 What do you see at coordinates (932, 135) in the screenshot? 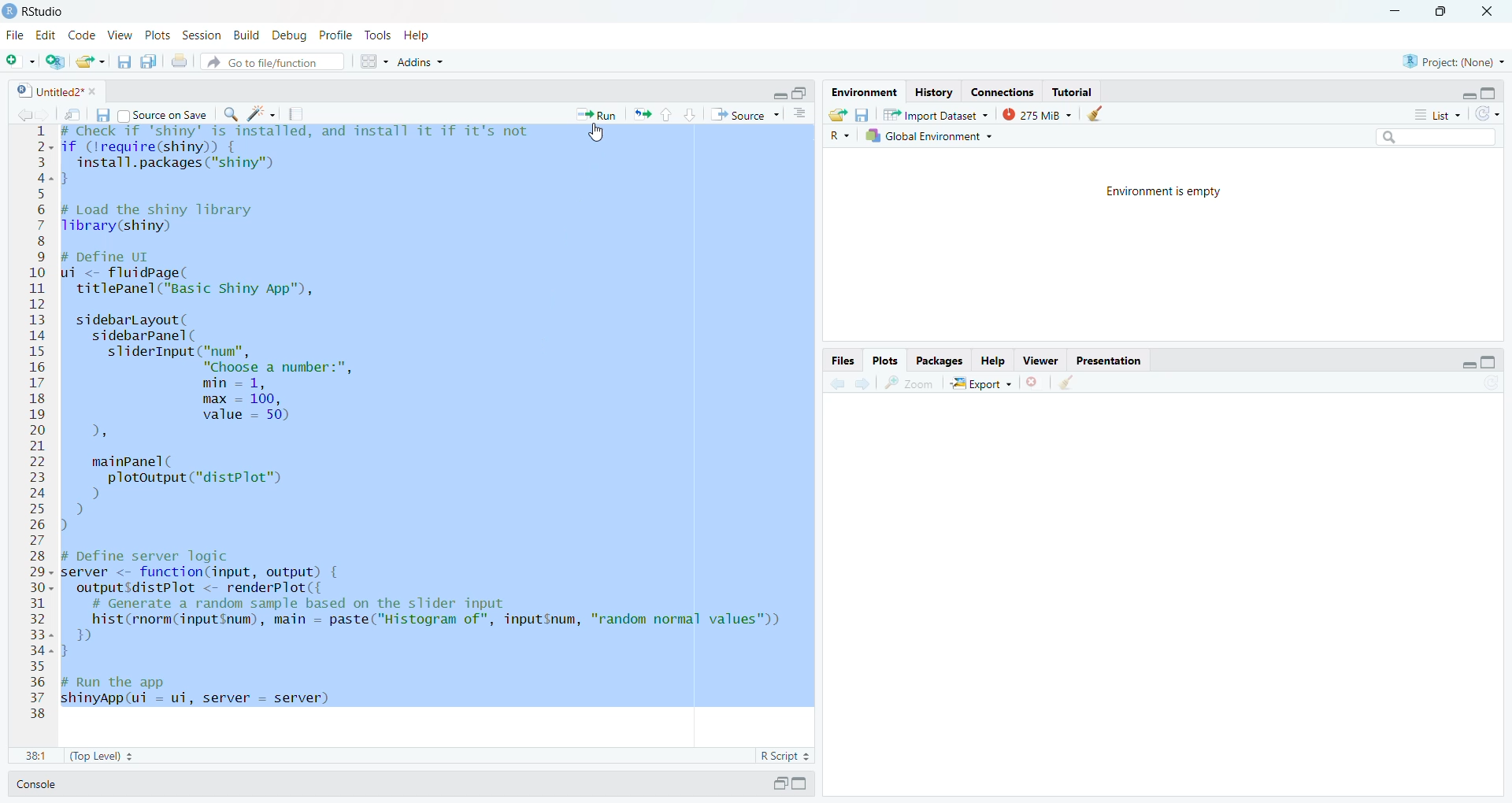
I see `Global Environment` at bounding box center [932, 135].